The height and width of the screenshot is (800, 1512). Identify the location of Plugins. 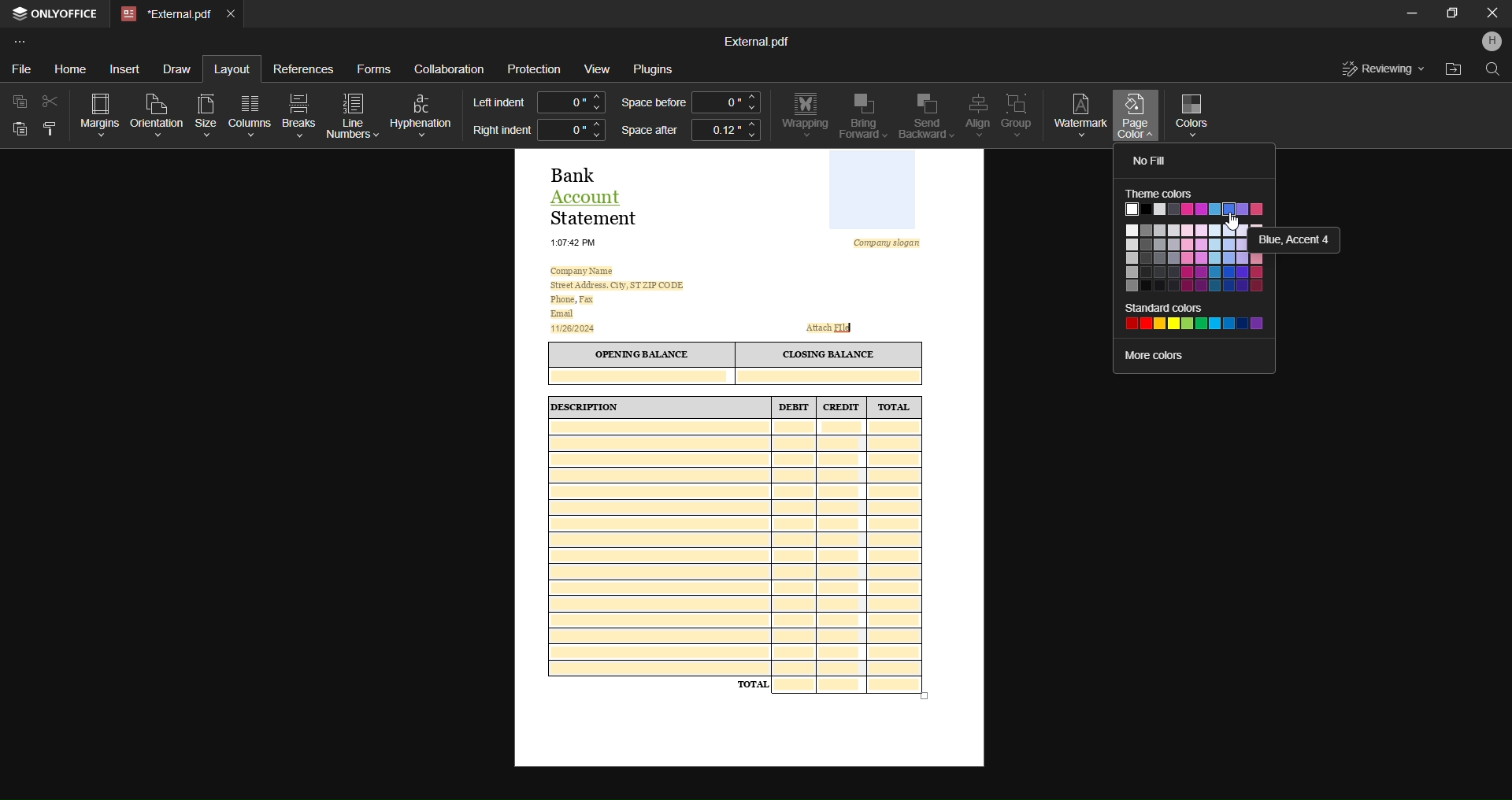
(659, 70).